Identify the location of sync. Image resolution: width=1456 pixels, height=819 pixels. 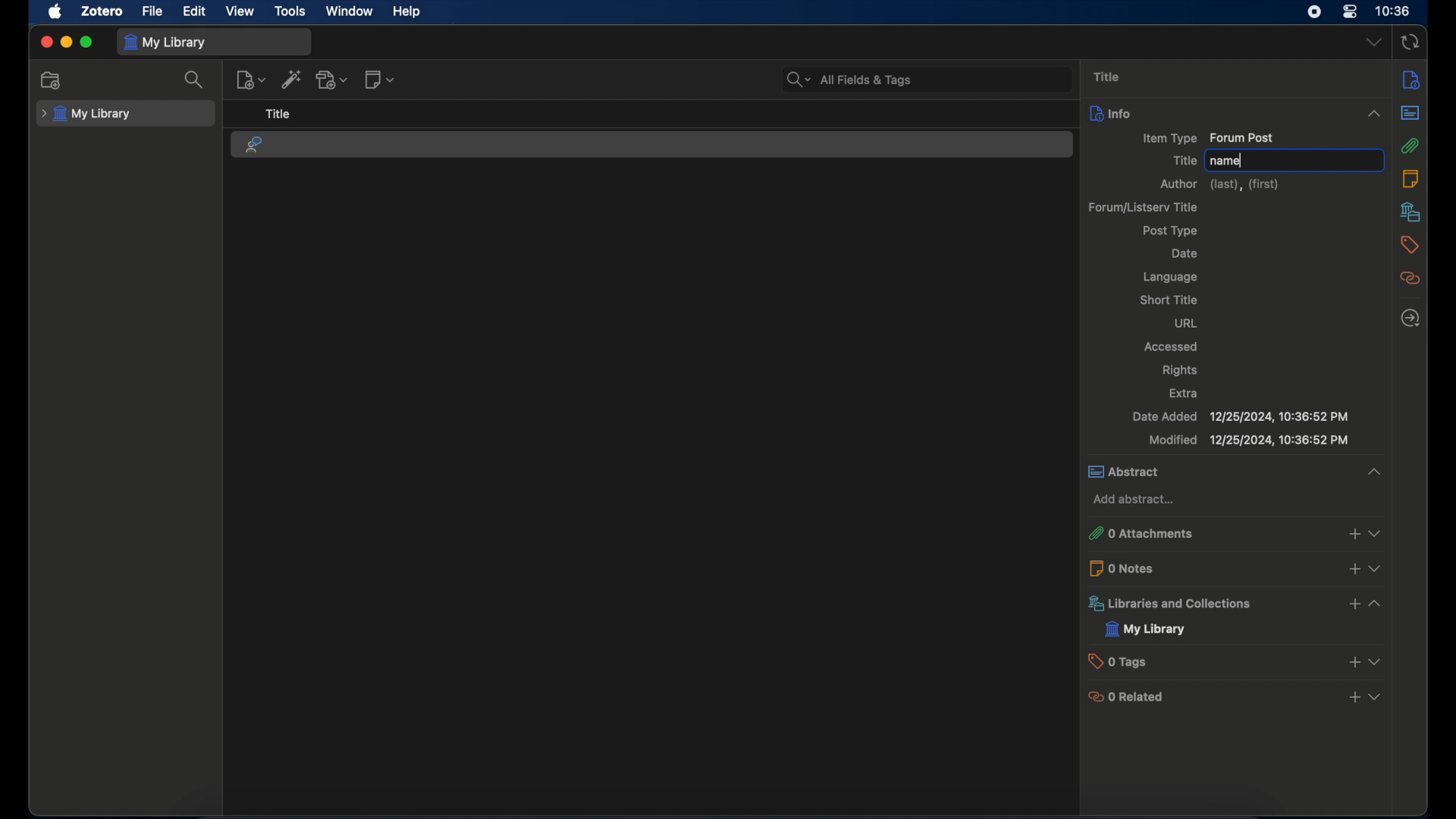
(1411, 42).